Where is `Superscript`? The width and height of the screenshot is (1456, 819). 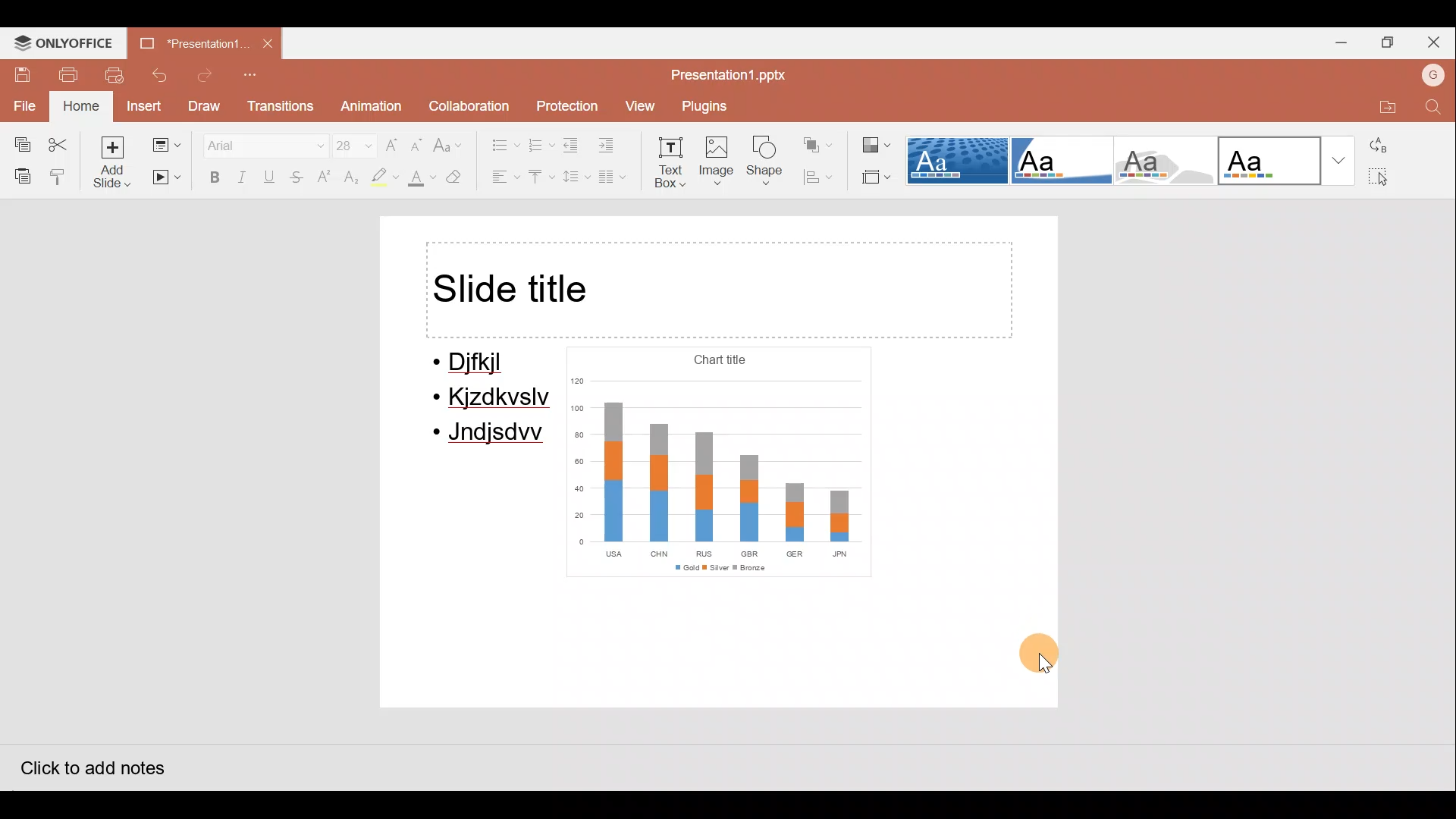 Superscript is located at coordinates (323, 178).